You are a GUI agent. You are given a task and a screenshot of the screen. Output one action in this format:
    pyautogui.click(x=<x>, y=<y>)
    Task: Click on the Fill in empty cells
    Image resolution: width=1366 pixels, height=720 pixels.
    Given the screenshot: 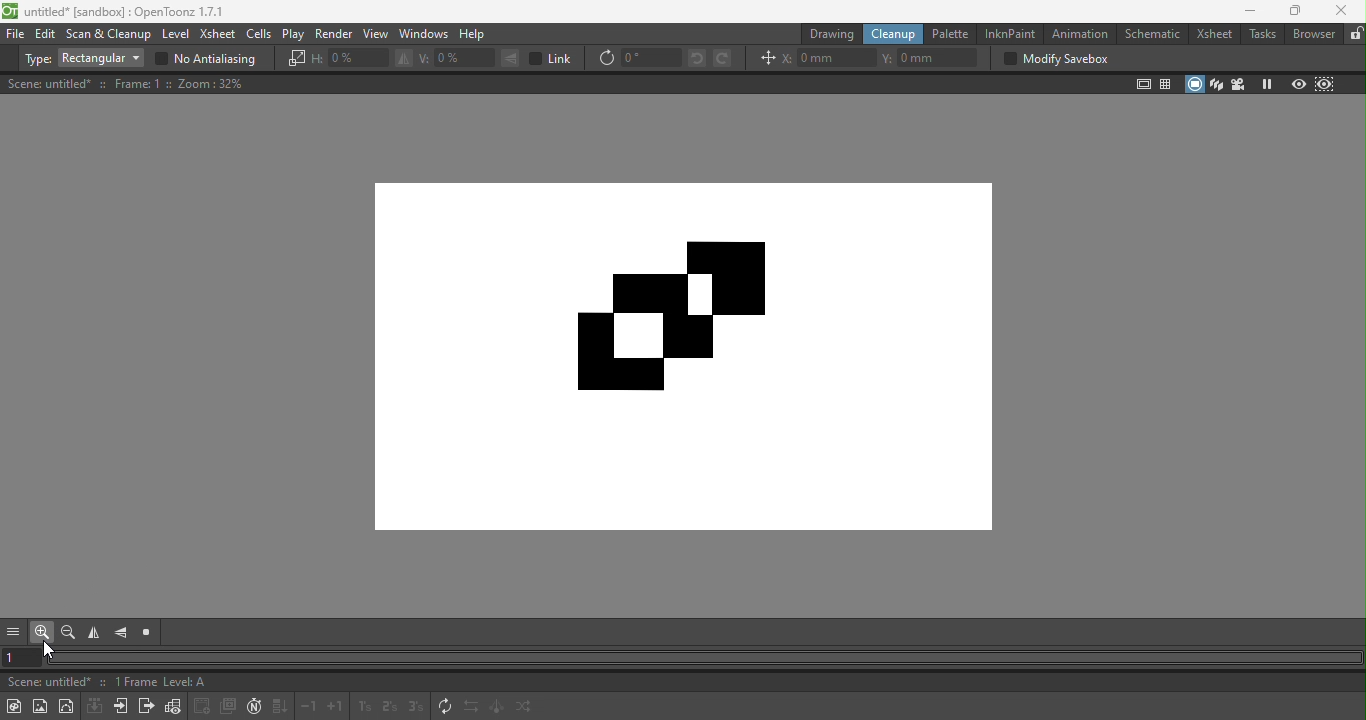 What is the action you would take?
    pyautogui.click(x=280, y=707)
    